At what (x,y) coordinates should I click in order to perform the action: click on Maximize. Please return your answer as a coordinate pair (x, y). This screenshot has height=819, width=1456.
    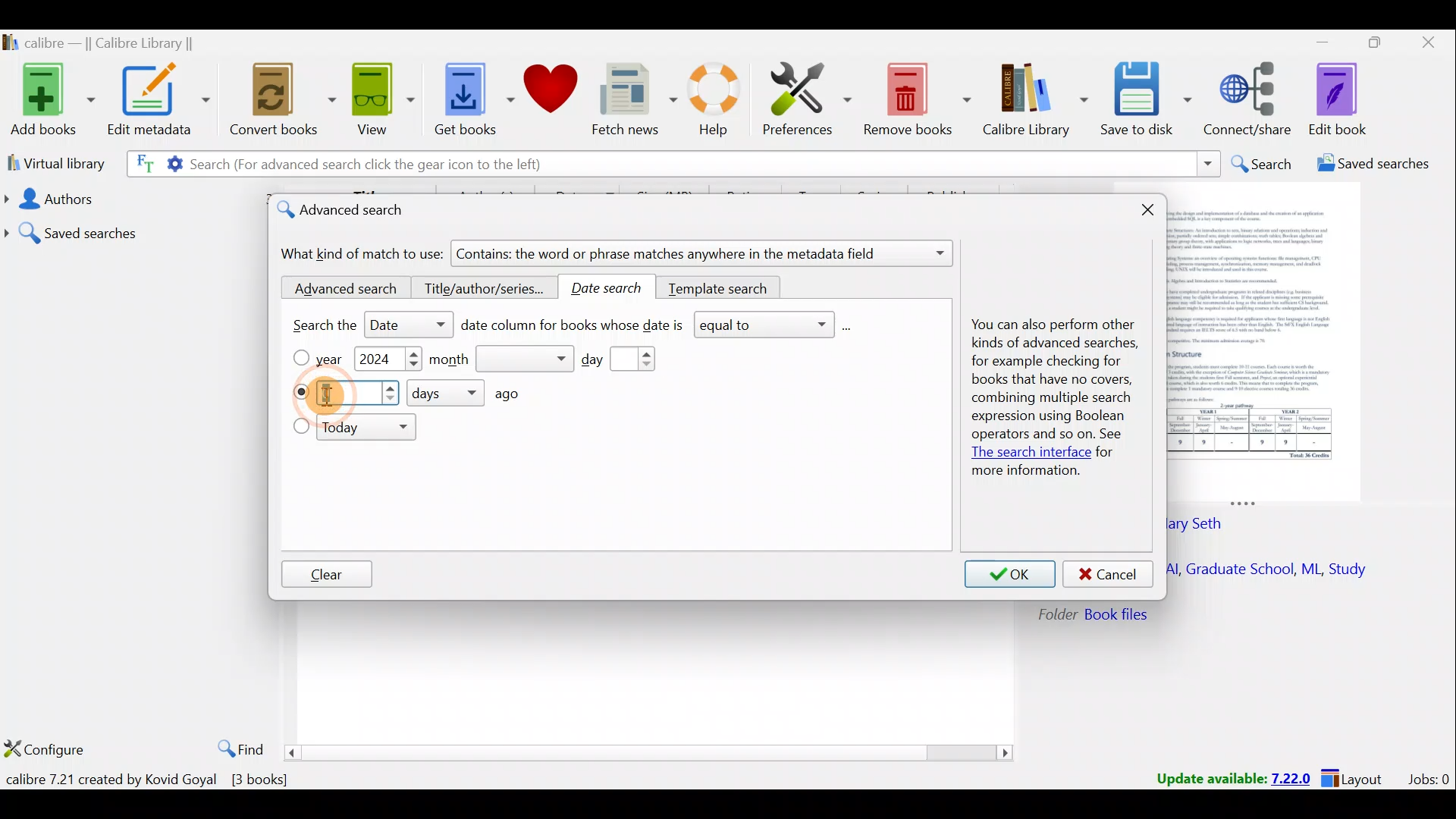
    Looking at the image, I should click on (1368, 45).